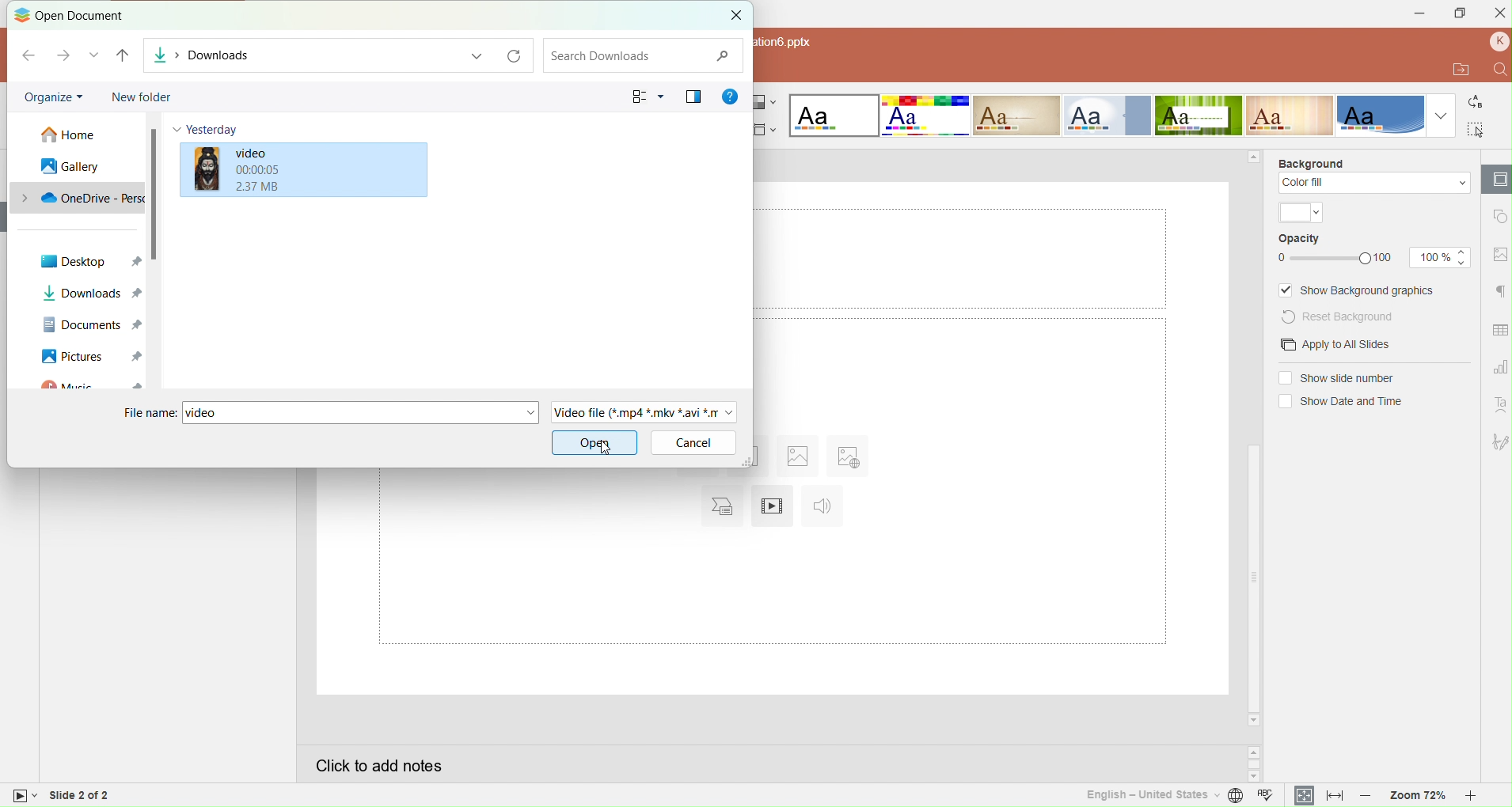 This screenshot has height=807, width=1512. What do you see at coordinates (1339, 377) in the screenshot?
I see `(un) selectShow slide numbers` at bounding box center [1339, 377].